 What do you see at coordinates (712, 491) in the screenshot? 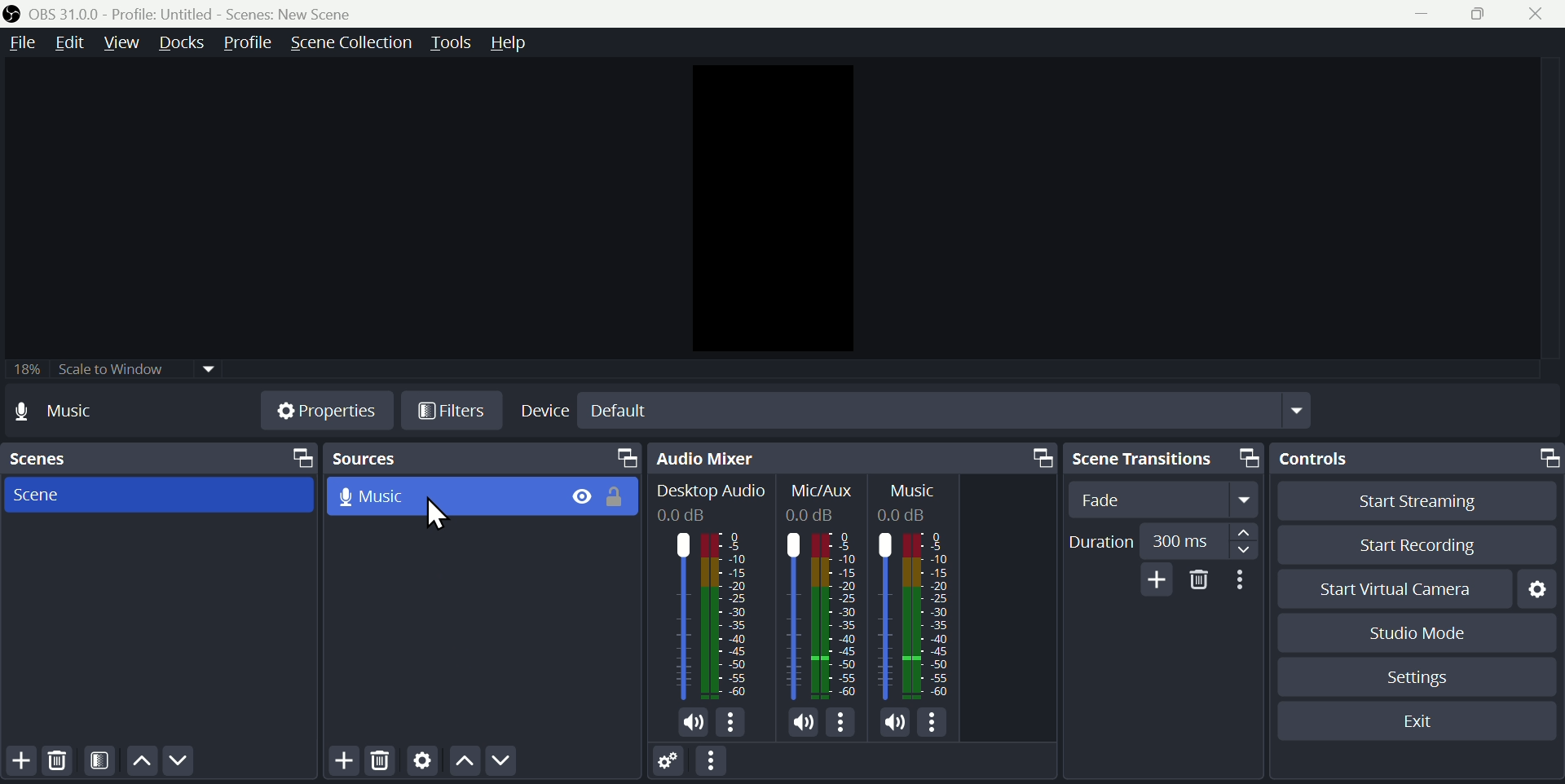
I see `` at bounding box center [712, 491].